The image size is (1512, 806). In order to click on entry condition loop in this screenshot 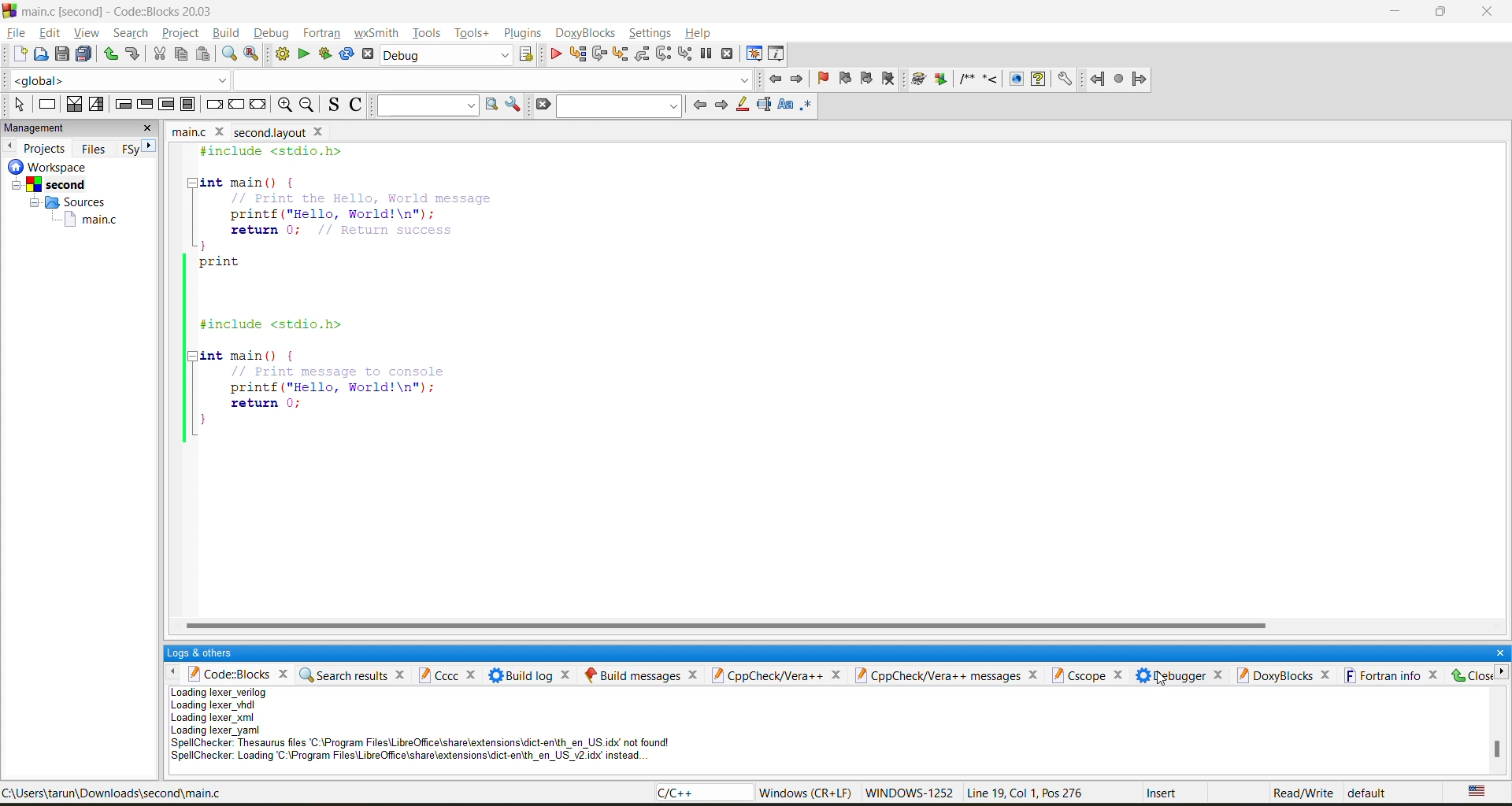, I will do `click(124, 105)`.